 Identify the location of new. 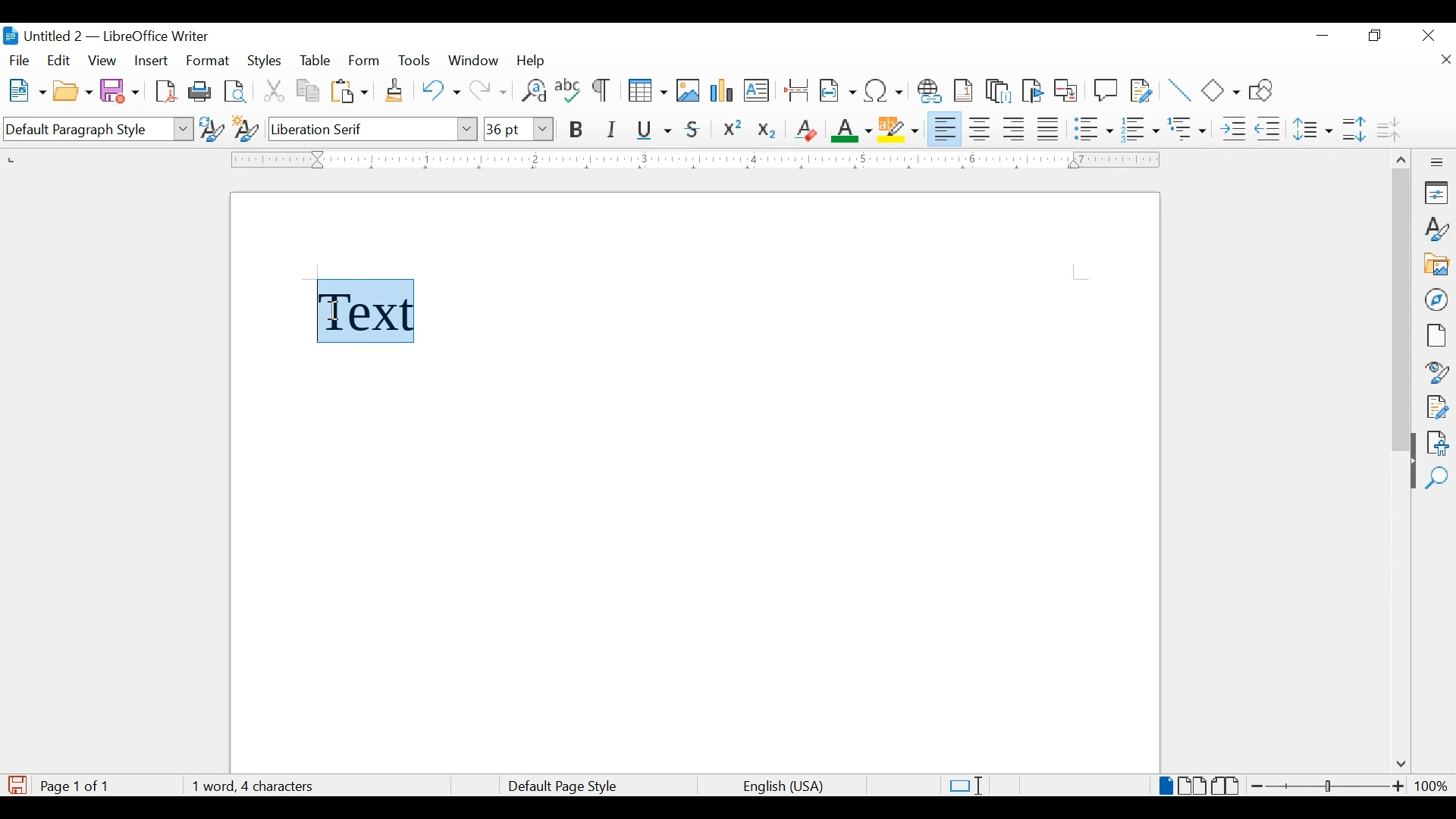
(28, 90).